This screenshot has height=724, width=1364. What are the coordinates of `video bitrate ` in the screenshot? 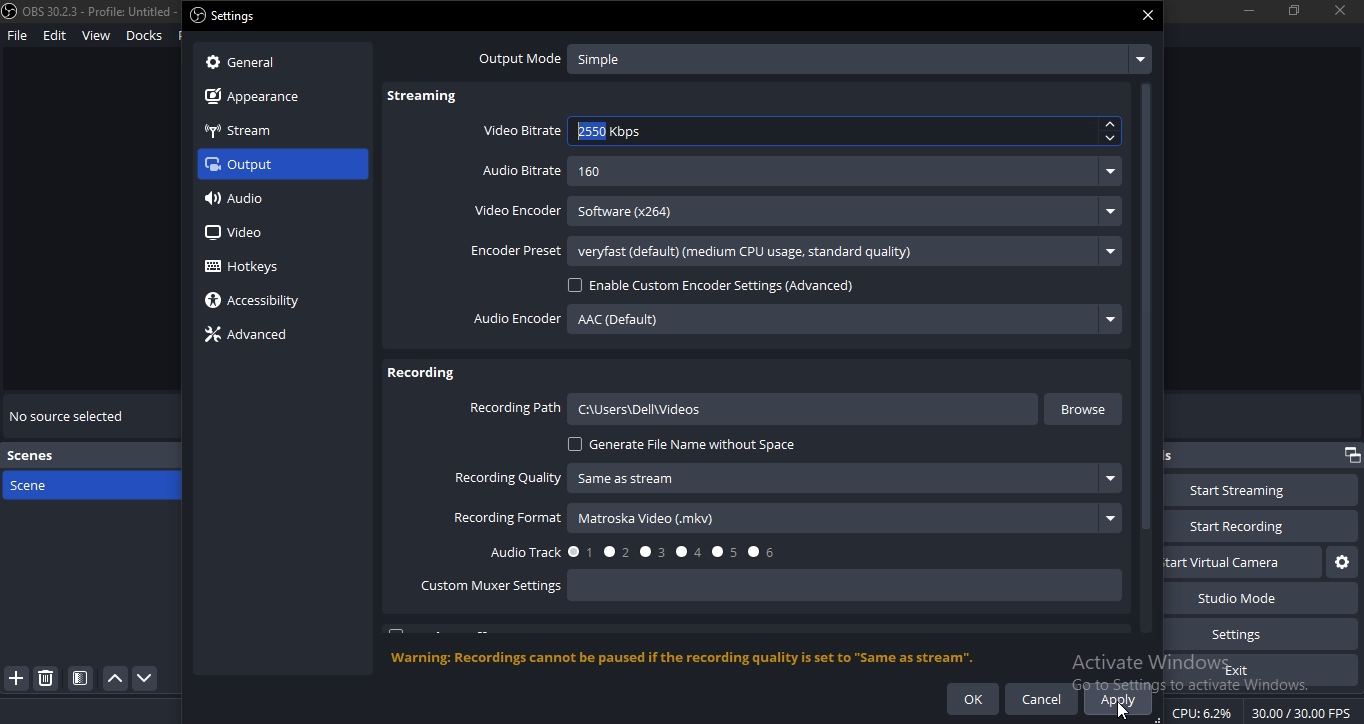 It's located at (523, 129).